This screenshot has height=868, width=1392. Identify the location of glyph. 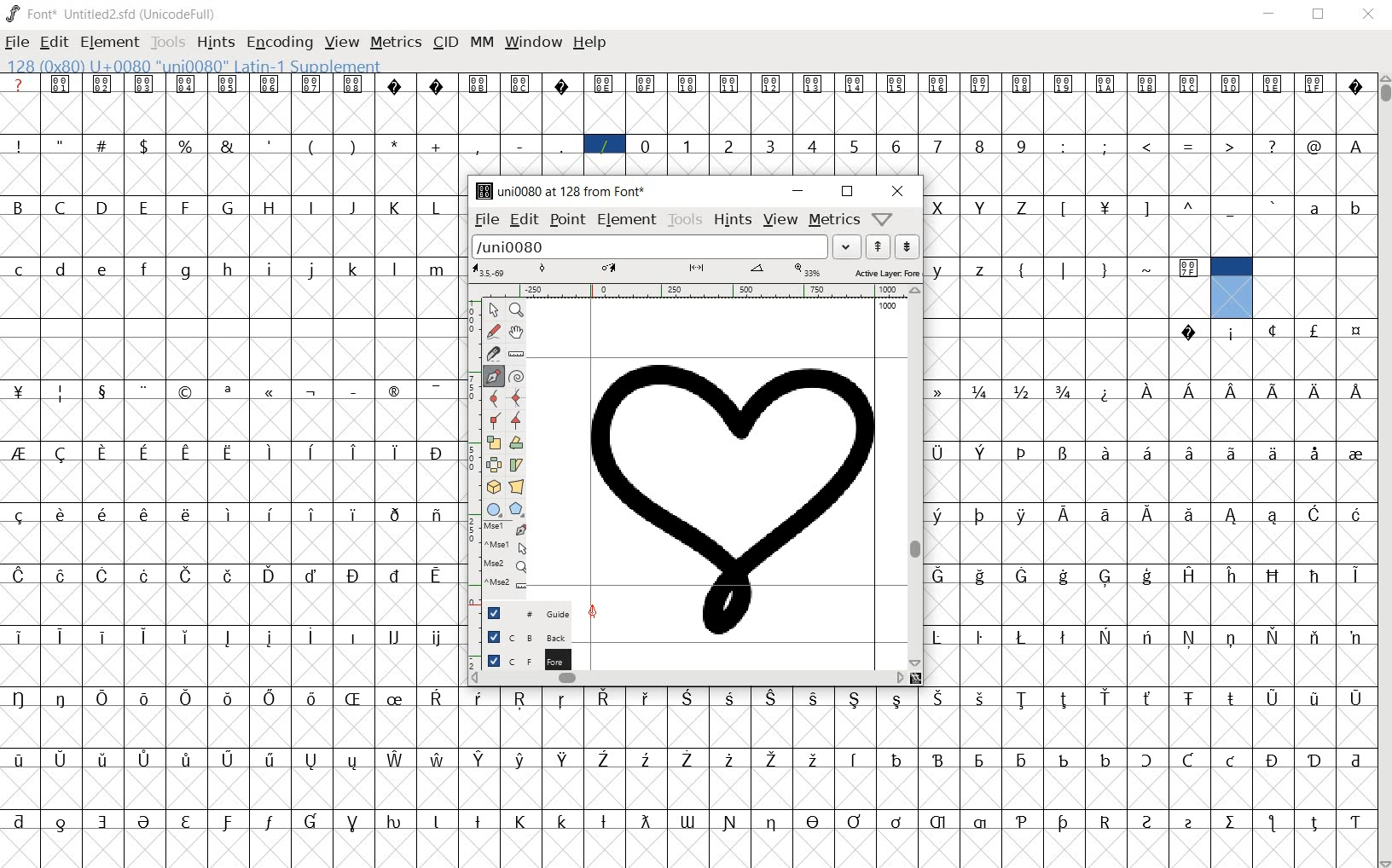
(520, 760).